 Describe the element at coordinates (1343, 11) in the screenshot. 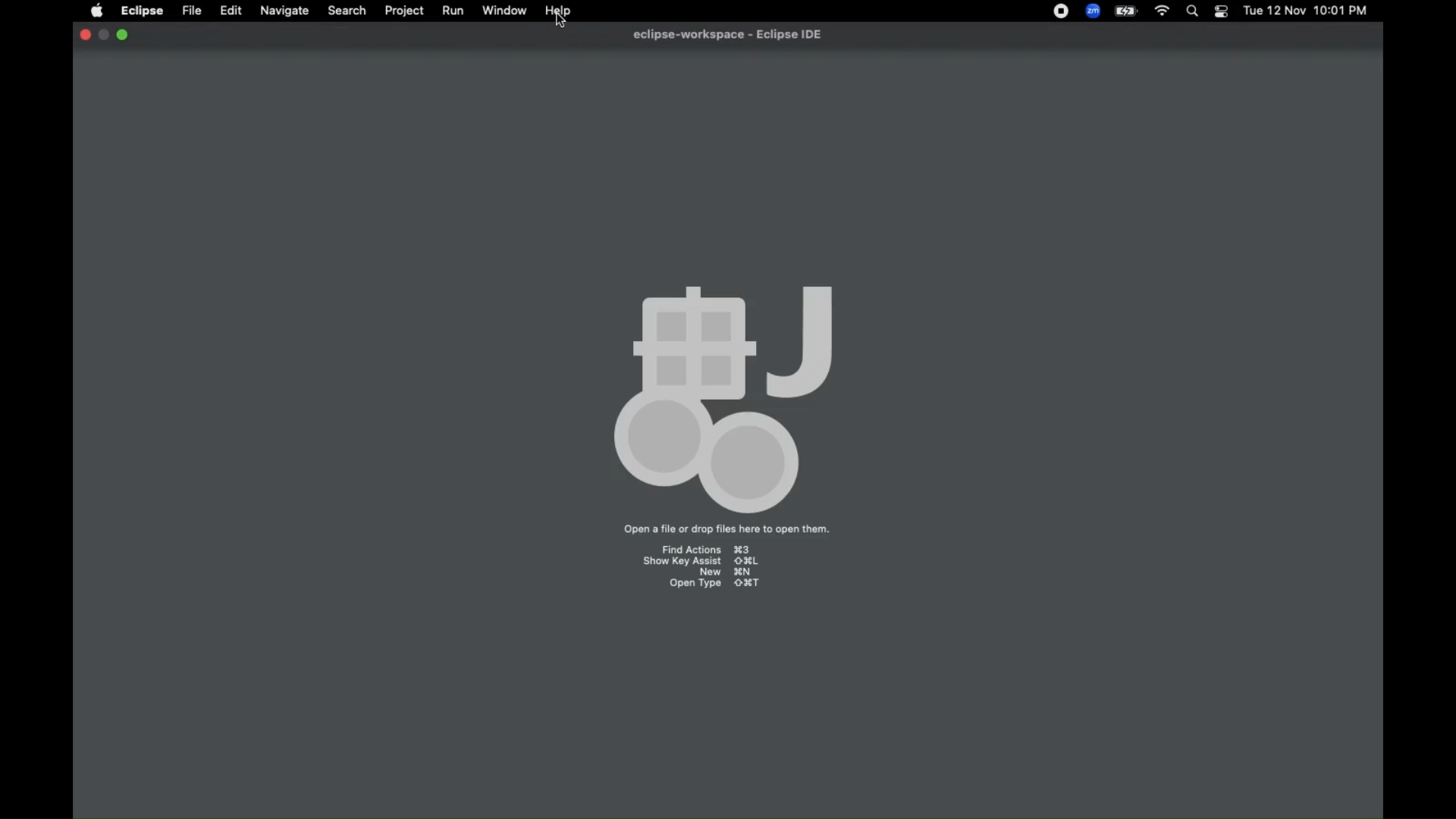

I see `10:01 pm ` at that location.